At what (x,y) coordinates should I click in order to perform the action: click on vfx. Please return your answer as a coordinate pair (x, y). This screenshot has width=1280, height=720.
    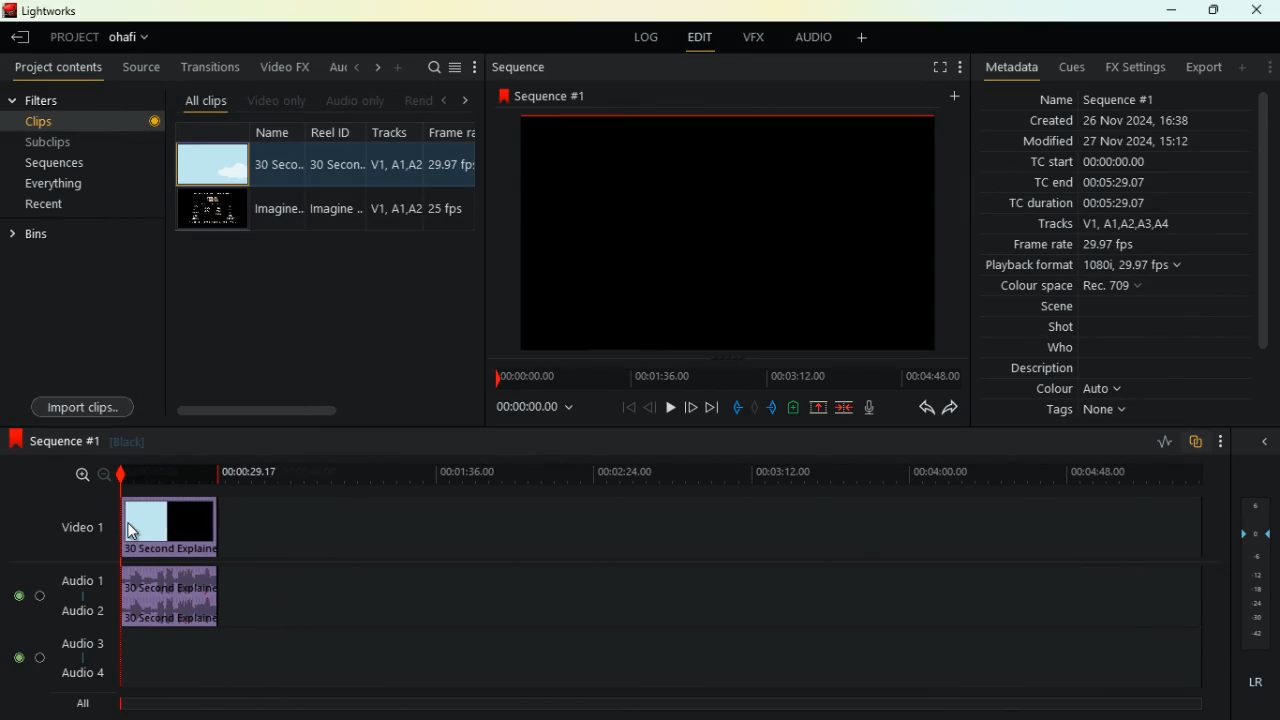
    Looking at the image, I should click on (755, 38).